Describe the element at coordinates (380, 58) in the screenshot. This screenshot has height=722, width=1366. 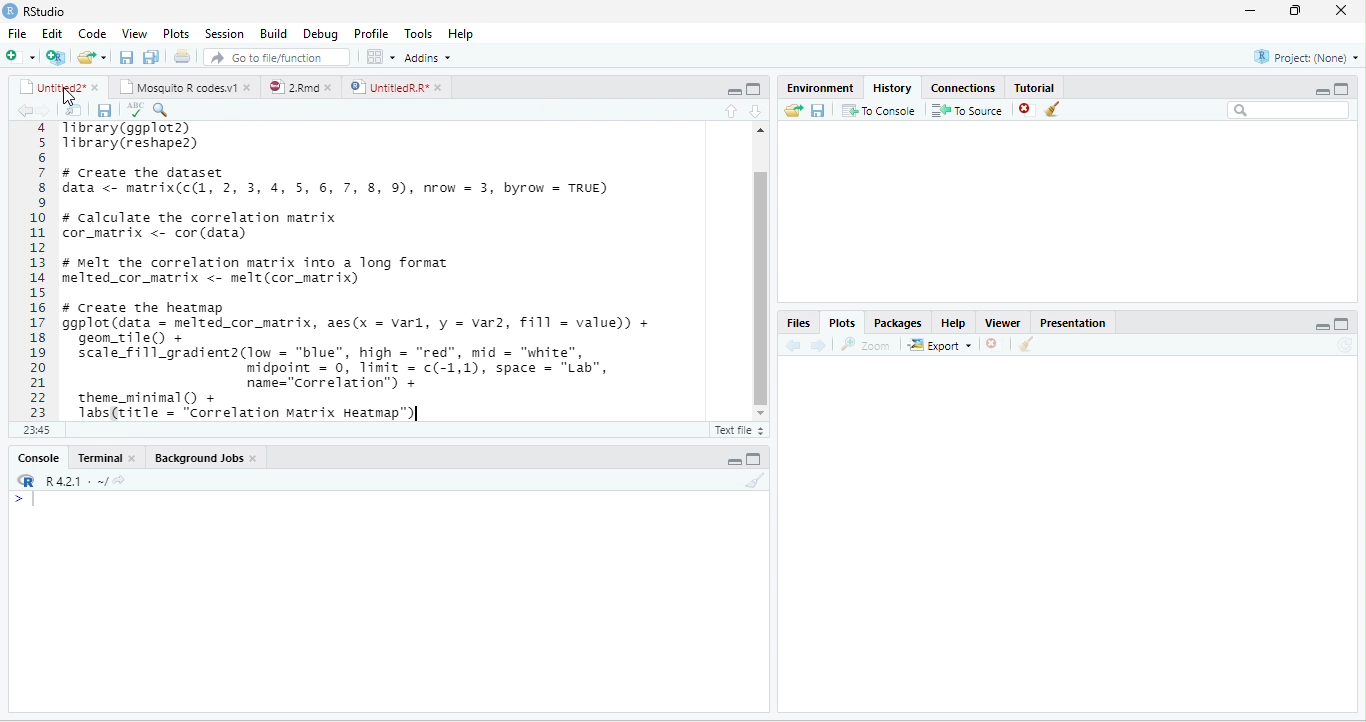
I see `grid` at that location.